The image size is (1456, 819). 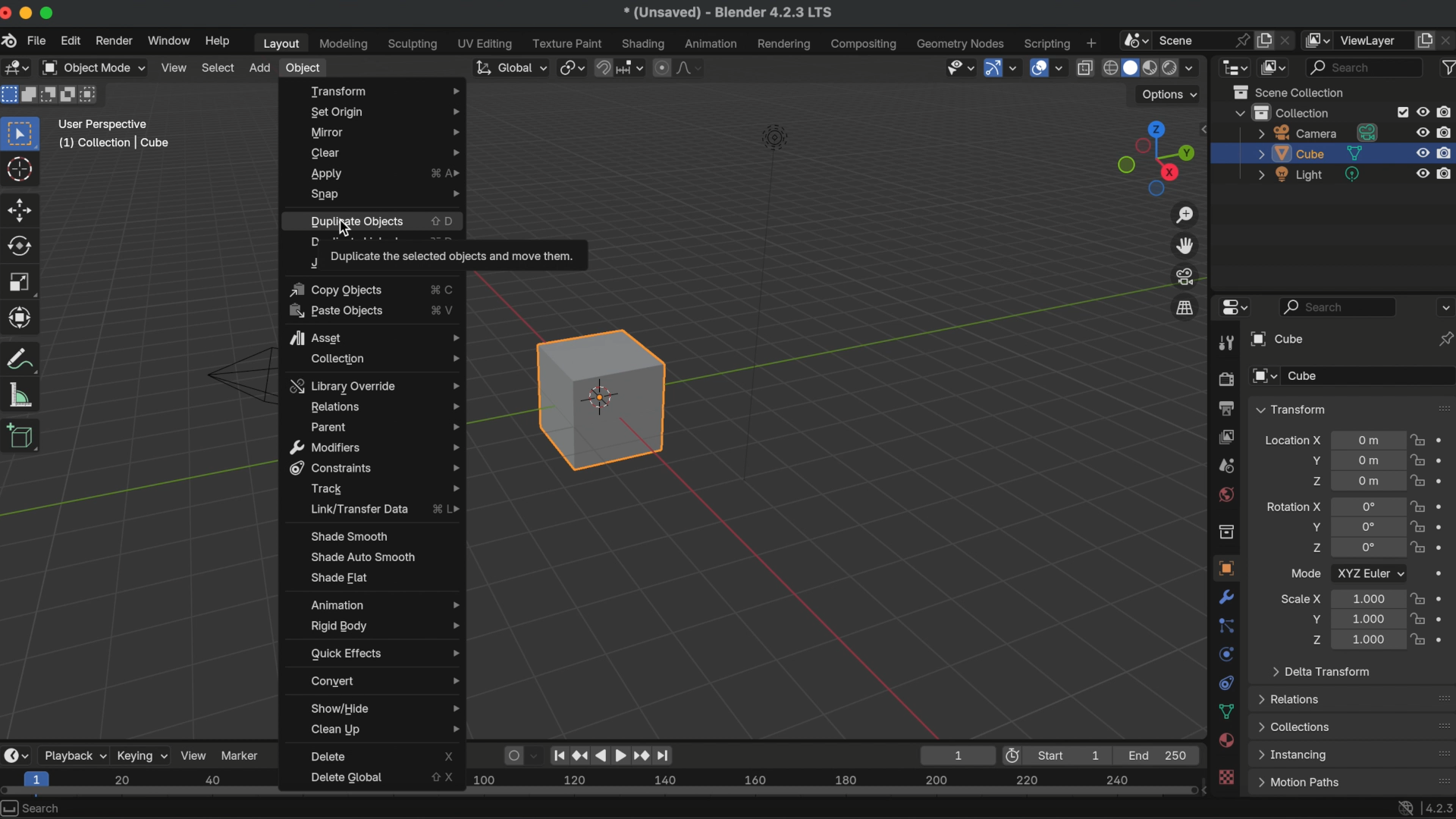 I want to click on animate property, so click(x=1446, y=548).